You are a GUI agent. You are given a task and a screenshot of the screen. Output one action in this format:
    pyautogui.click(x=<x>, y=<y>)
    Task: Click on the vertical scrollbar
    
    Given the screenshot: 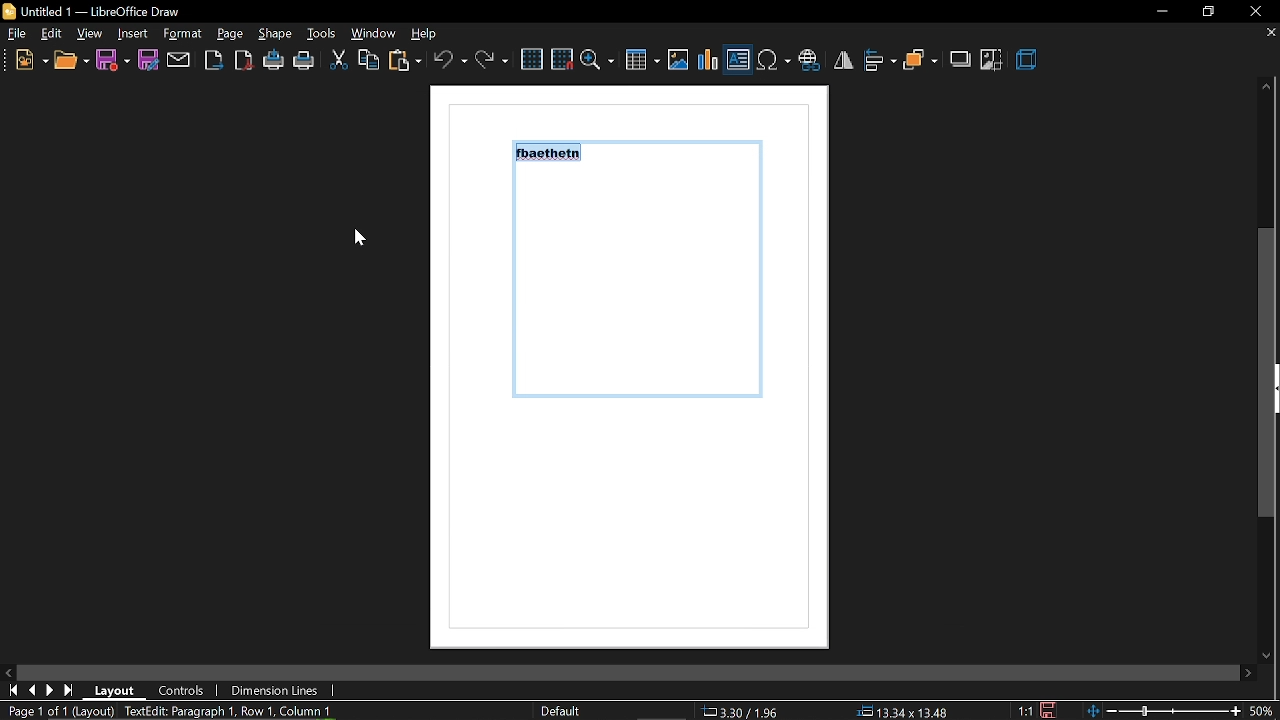 What is the action you would take?
    pyautogui.click(x=1267, y=375)
    